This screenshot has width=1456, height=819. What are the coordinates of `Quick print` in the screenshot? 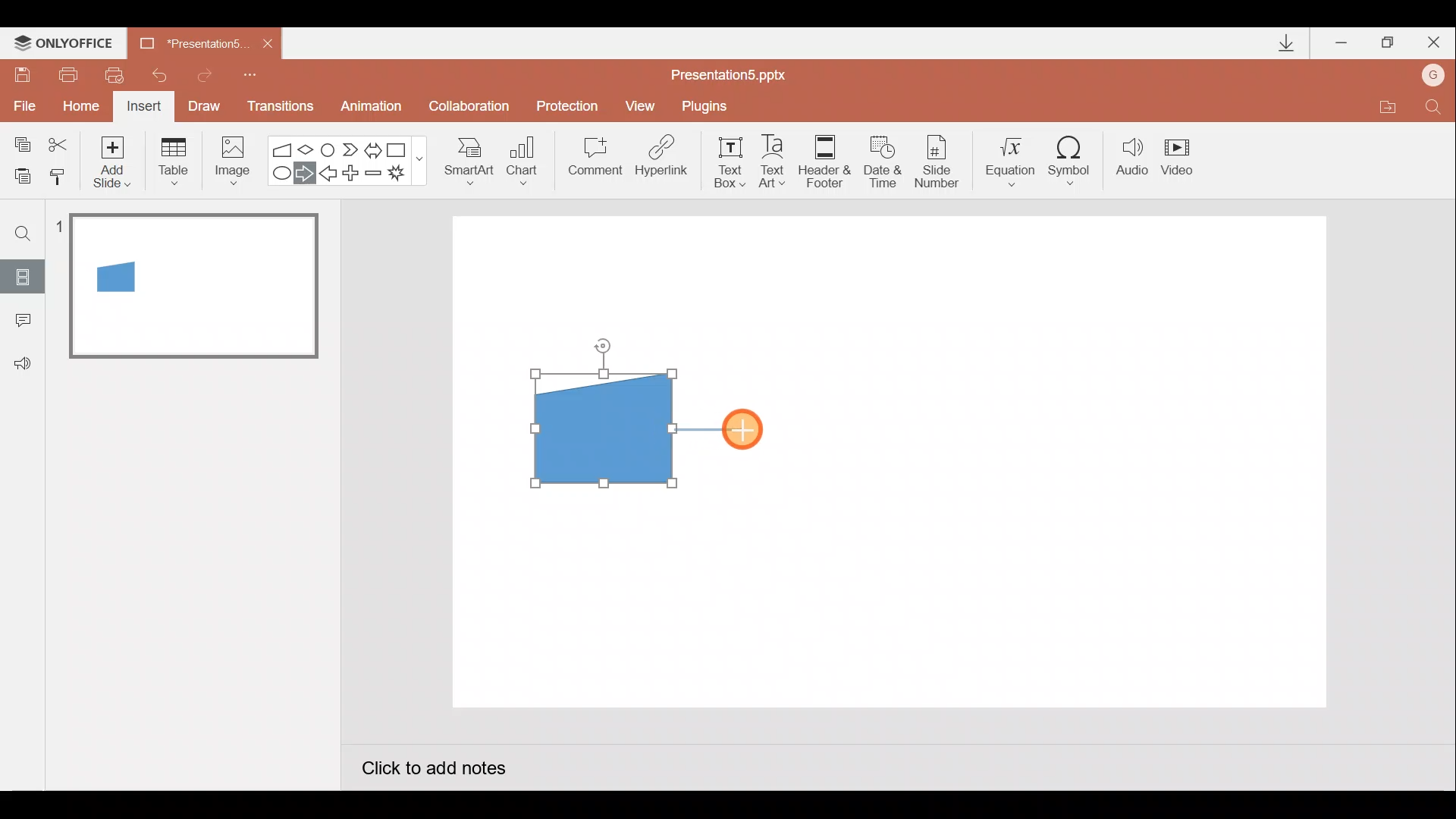 It's located at (120, 71).